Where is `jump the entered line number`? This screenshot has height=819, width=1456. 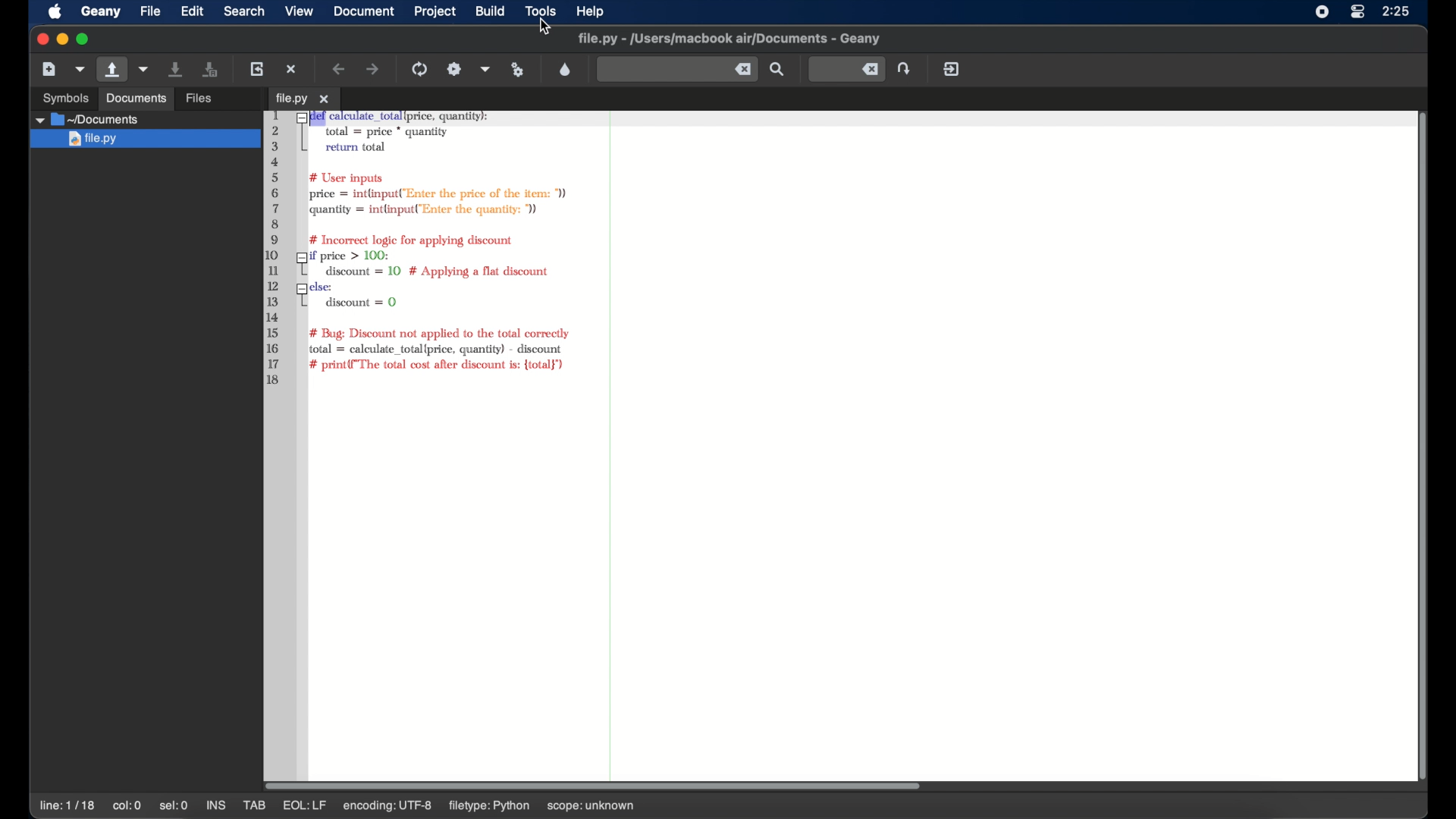 jump the entered line number is located at coordinates (906, 68).